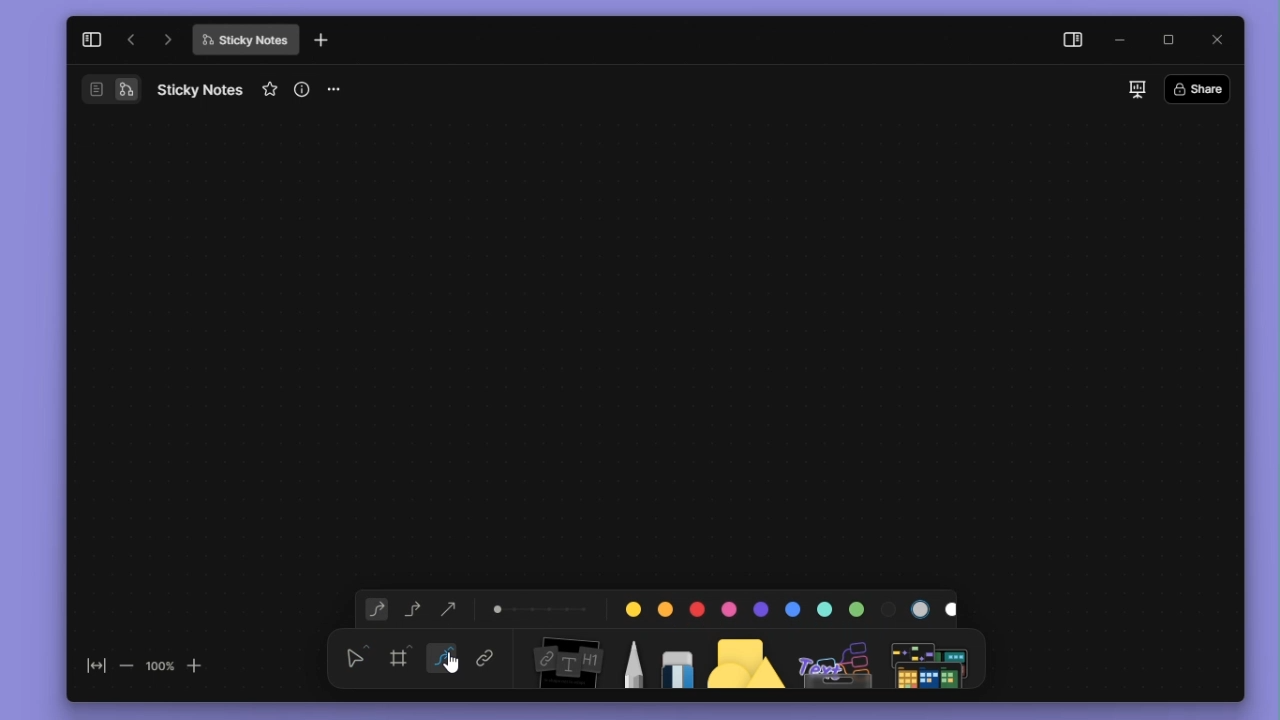 The width and height of the screenshot is (1280, 720). What do you see at coordinates (356, 656) in the screenshot?
I see `select` at bounding box center [356, 656].